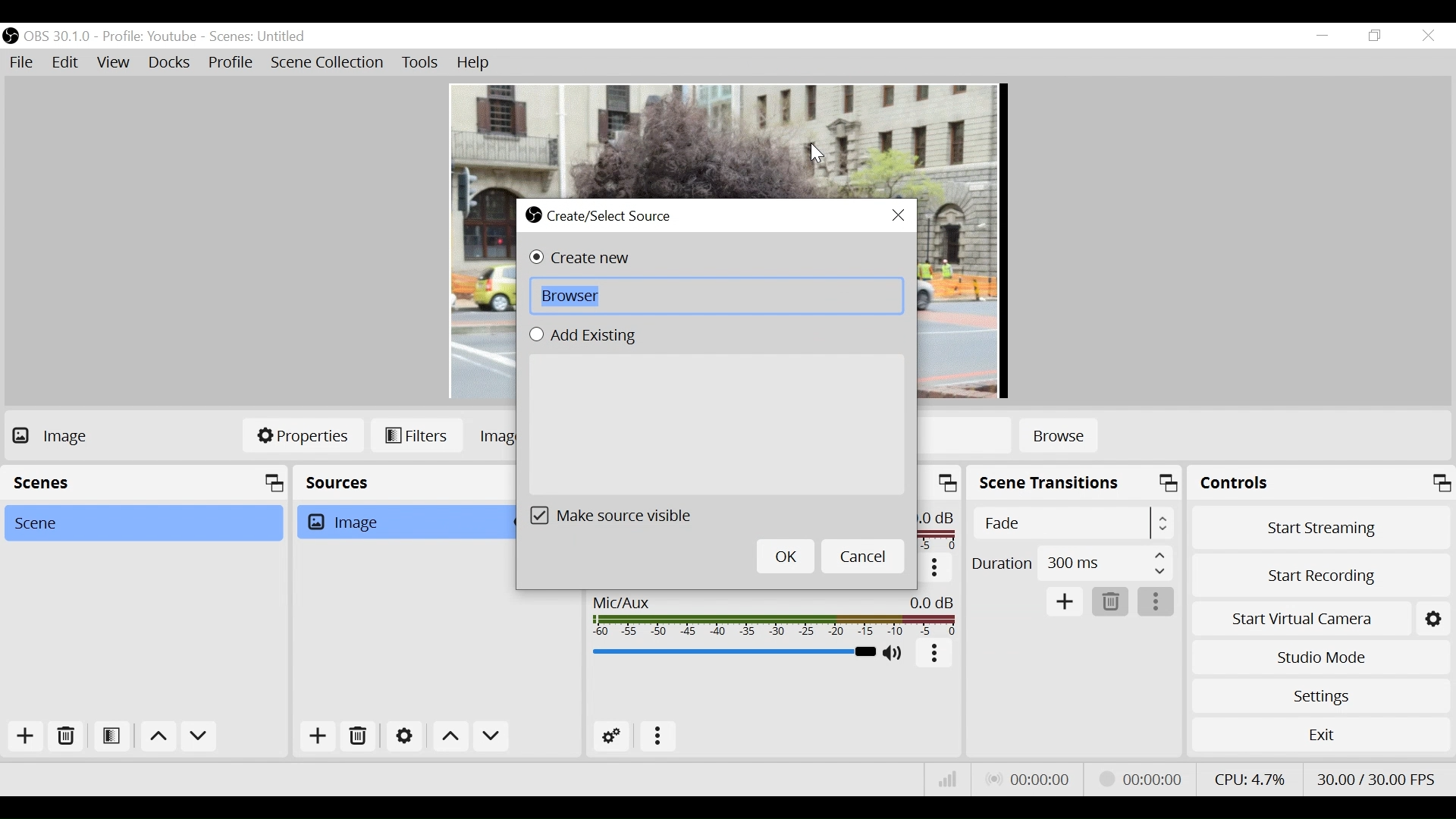 Image resolution: width=1456 pixels, height=819 pixels. What do you see at coordinates (404, 736) in the screenshot?
I see `Settings` at bounding box center [404, 736].